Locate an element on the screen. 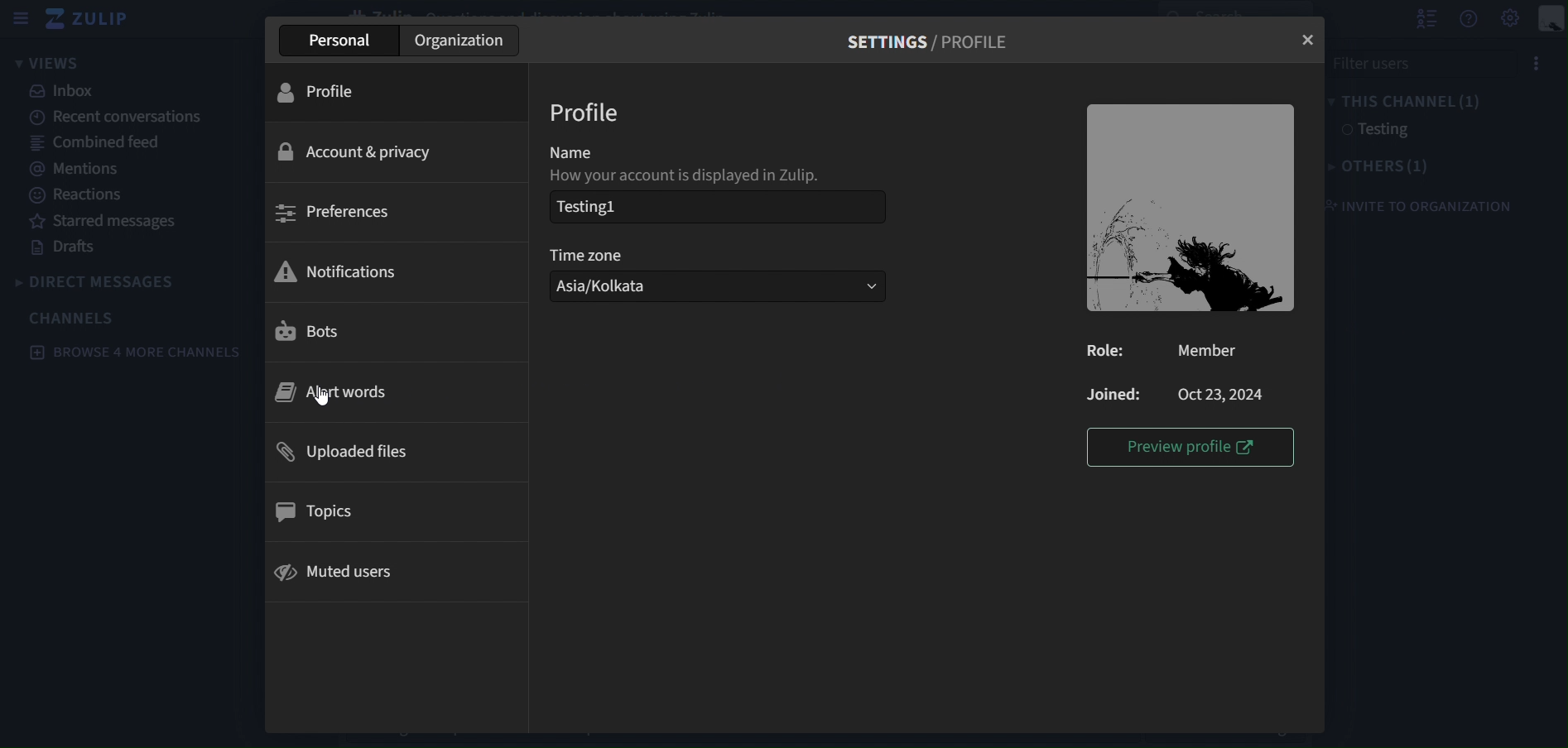 The width and height of the screenshot is (1568, 748). Testing1 is located at coordinates (713, 207).